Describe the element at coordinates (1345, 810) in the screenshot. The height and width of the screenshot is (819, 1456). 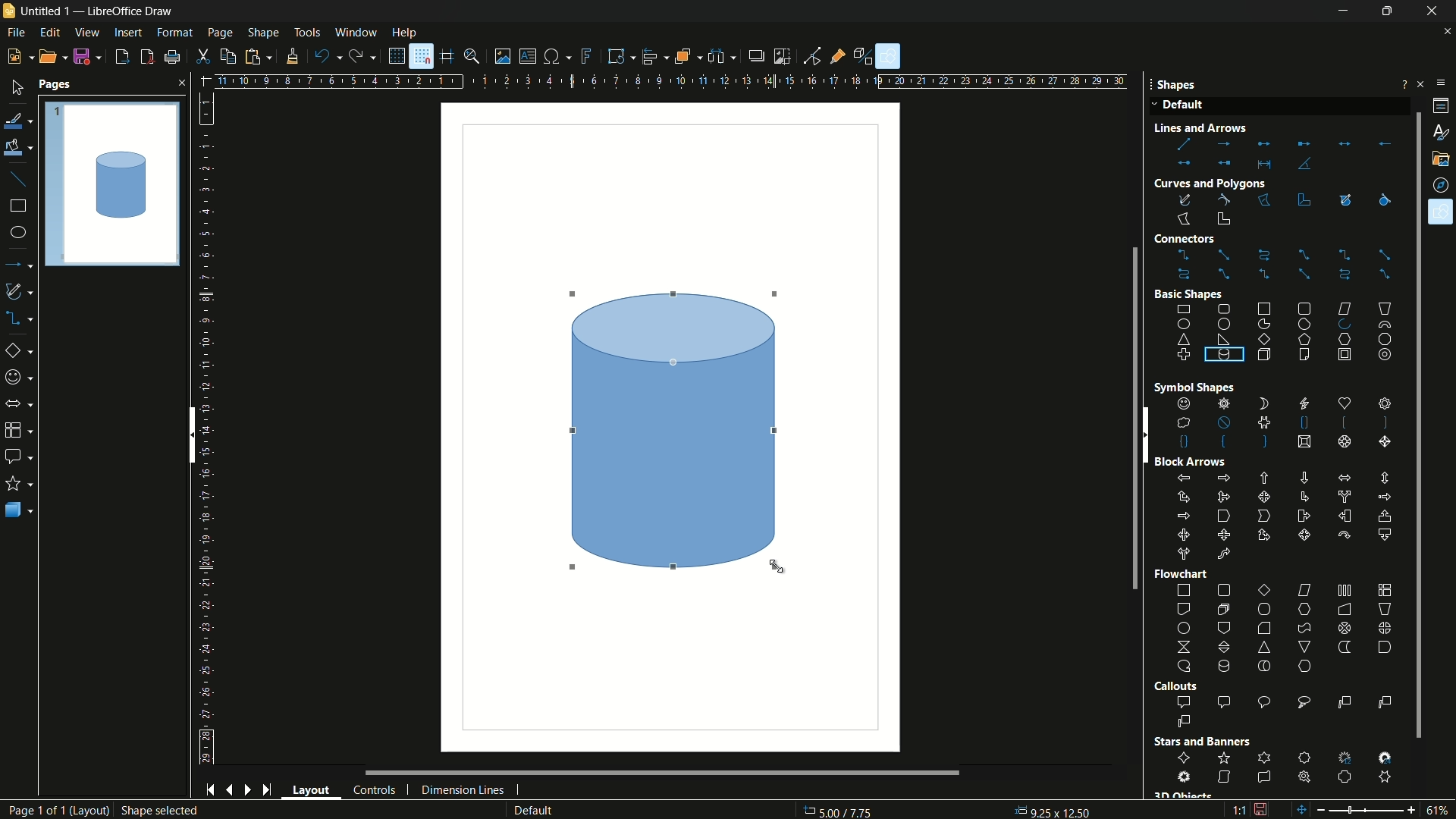
I see `zoom out` at that location.